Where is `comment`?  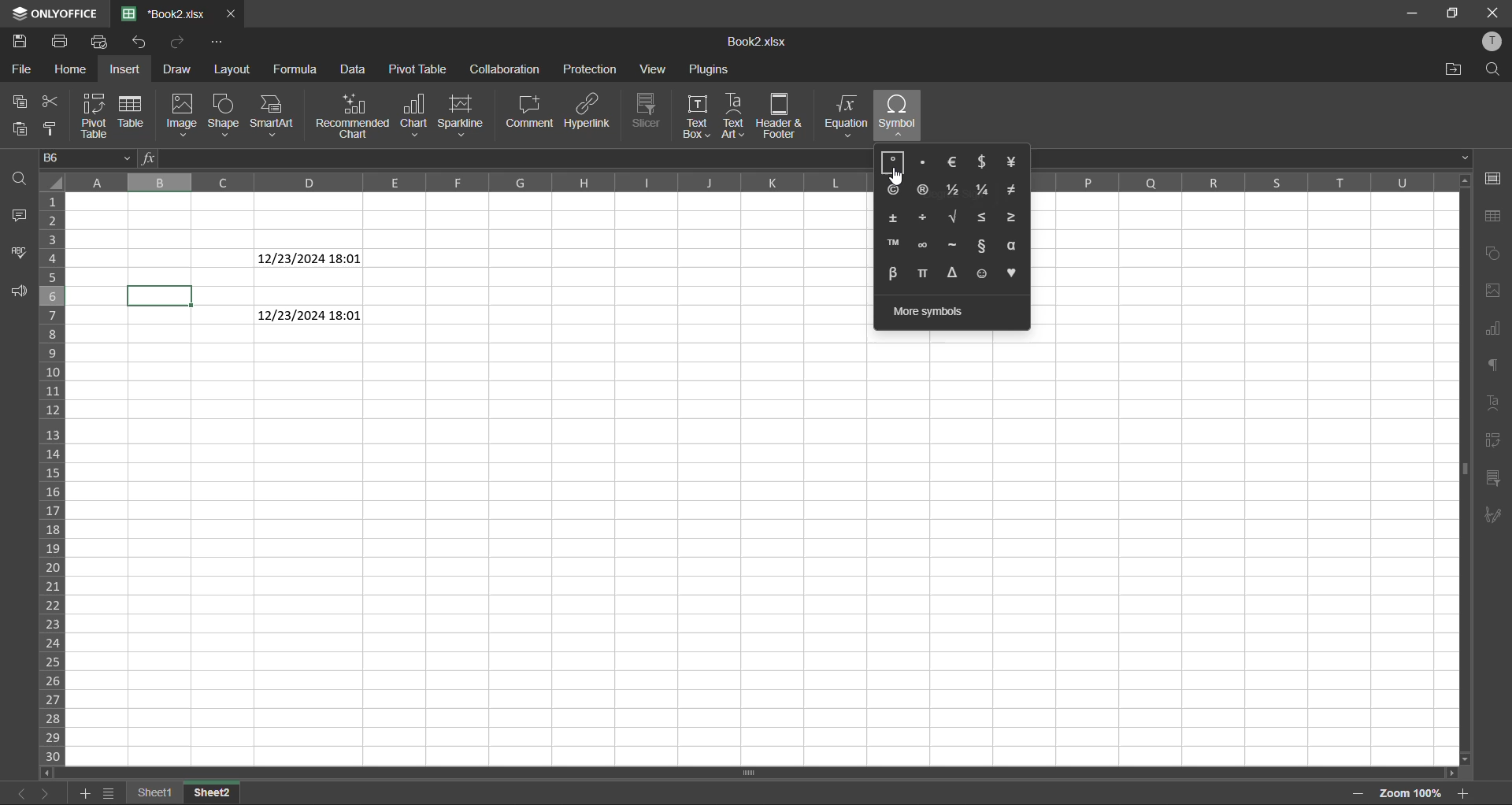
comment is located at coordinates (533, 110).